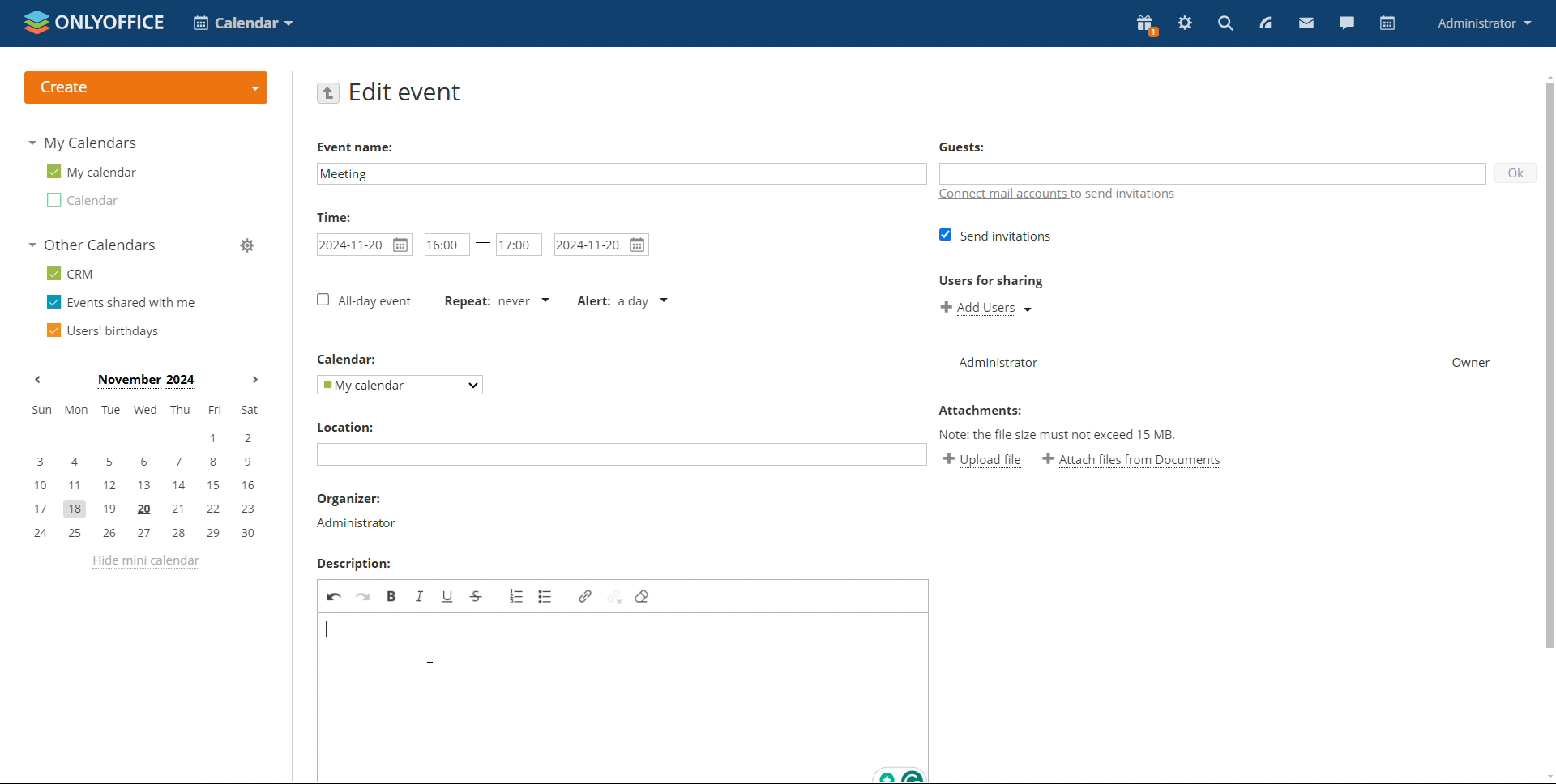  What do you see at coordinates (1269, 22) in the screenshot?
I see `feed` at bounding box center [1269, 22].